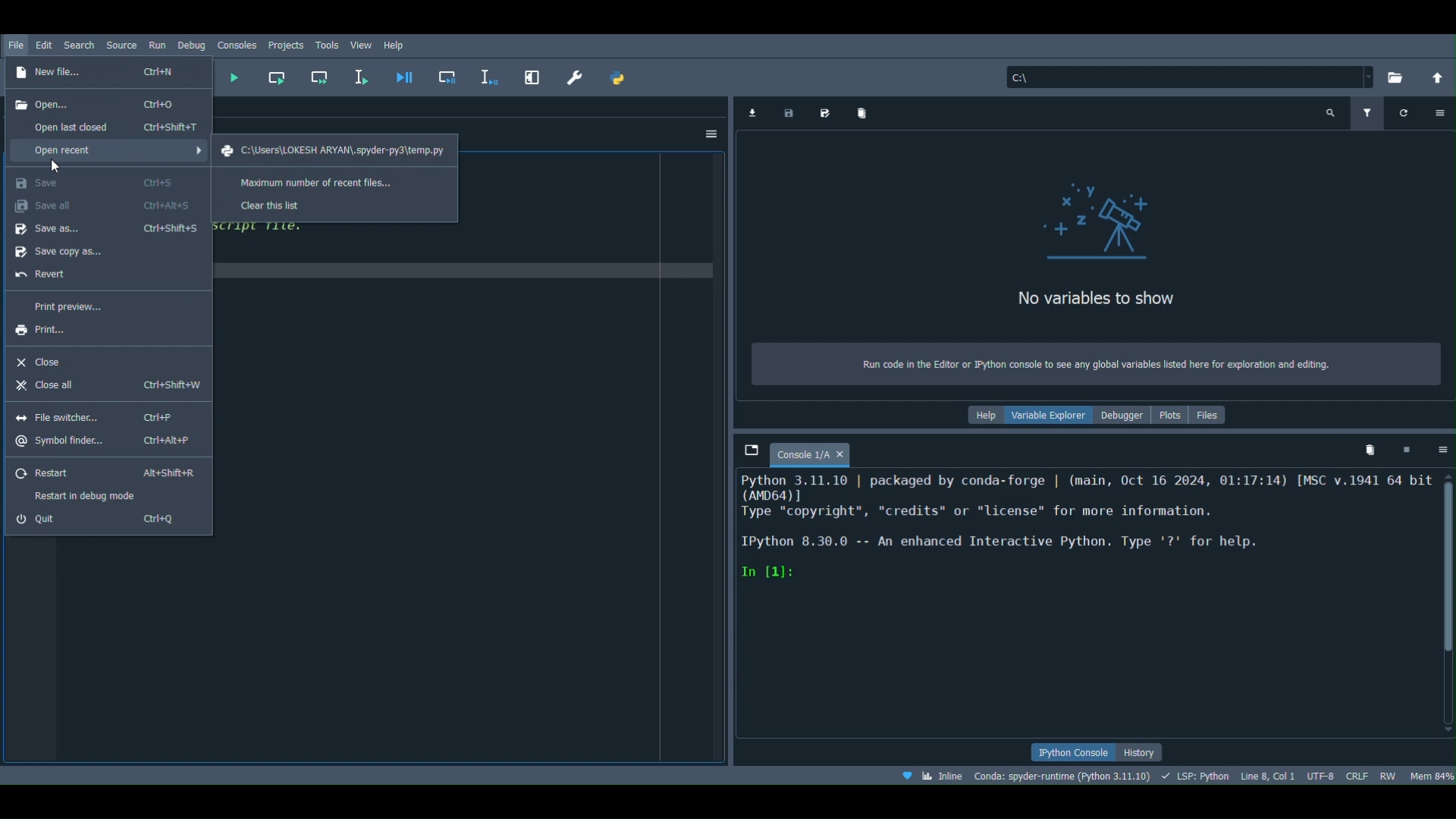  What do you see at coordinates (105, 468) in the screenshot?
I see `Restart` at bounding box center [105, 468].